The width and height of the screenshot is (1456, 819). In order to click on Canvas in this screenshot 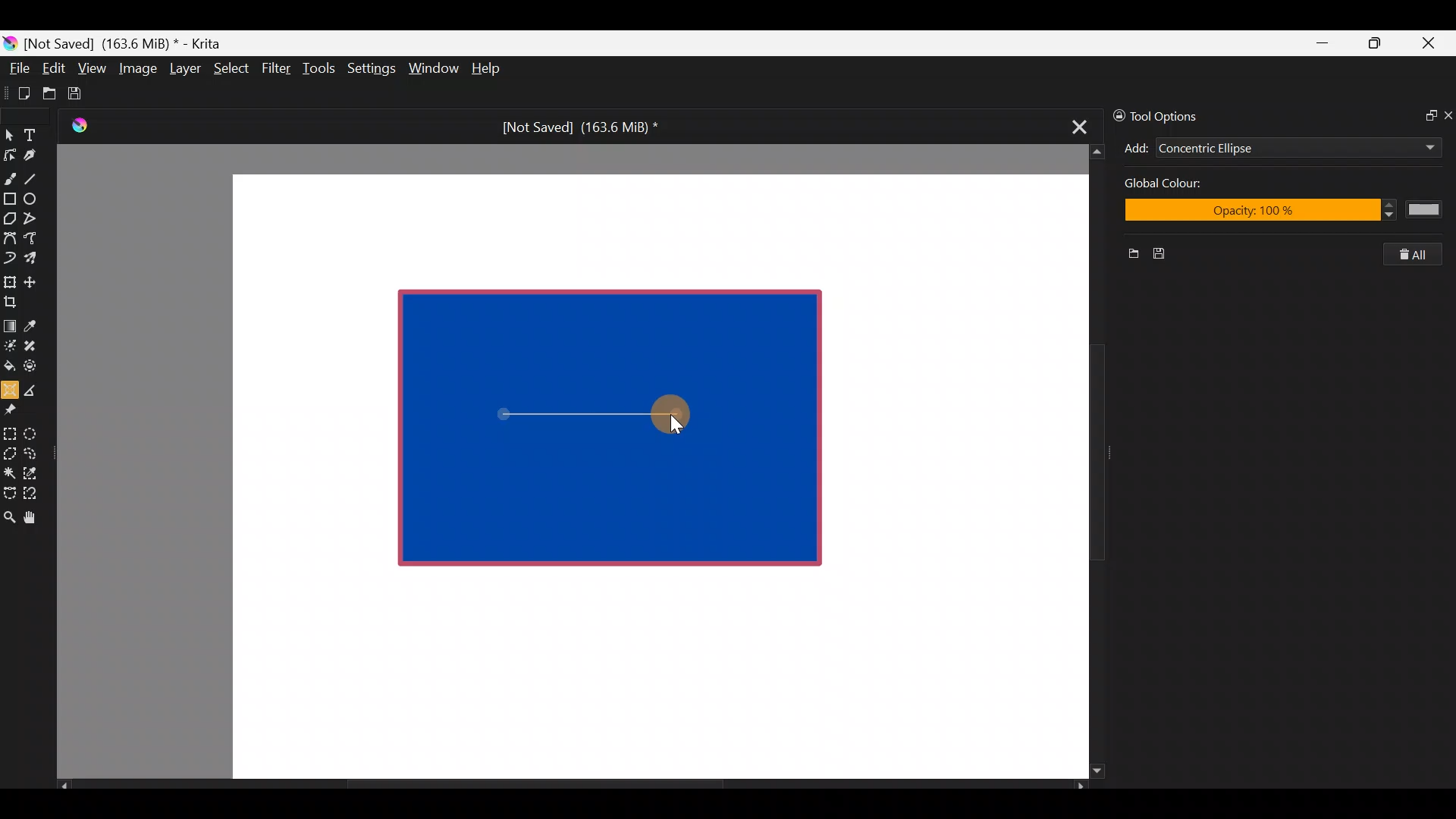, I will do `click(648, 475)`.